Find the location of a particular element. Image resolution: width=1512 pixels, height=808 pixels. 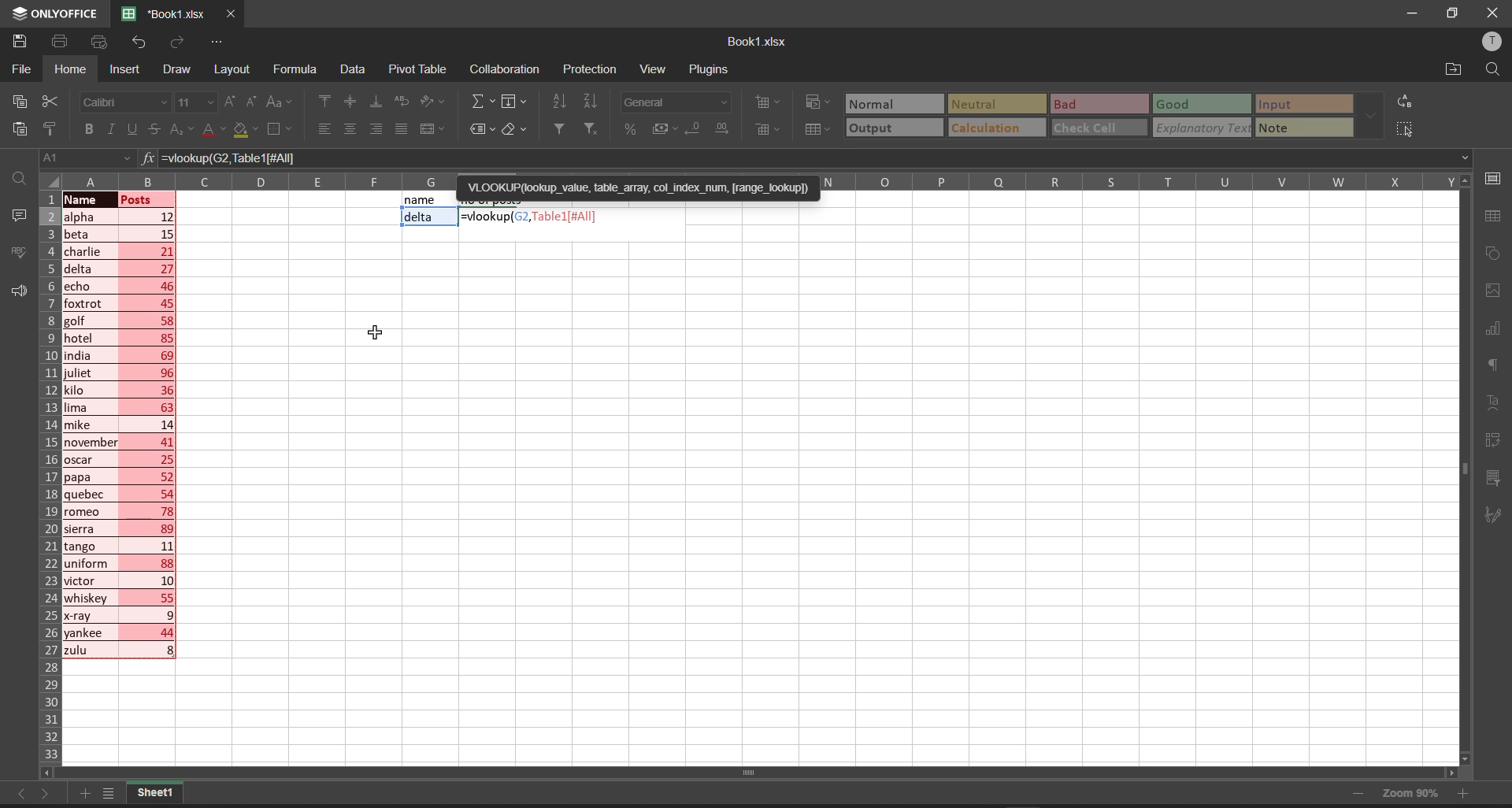

collaboration is located at coordinates (507, 69).